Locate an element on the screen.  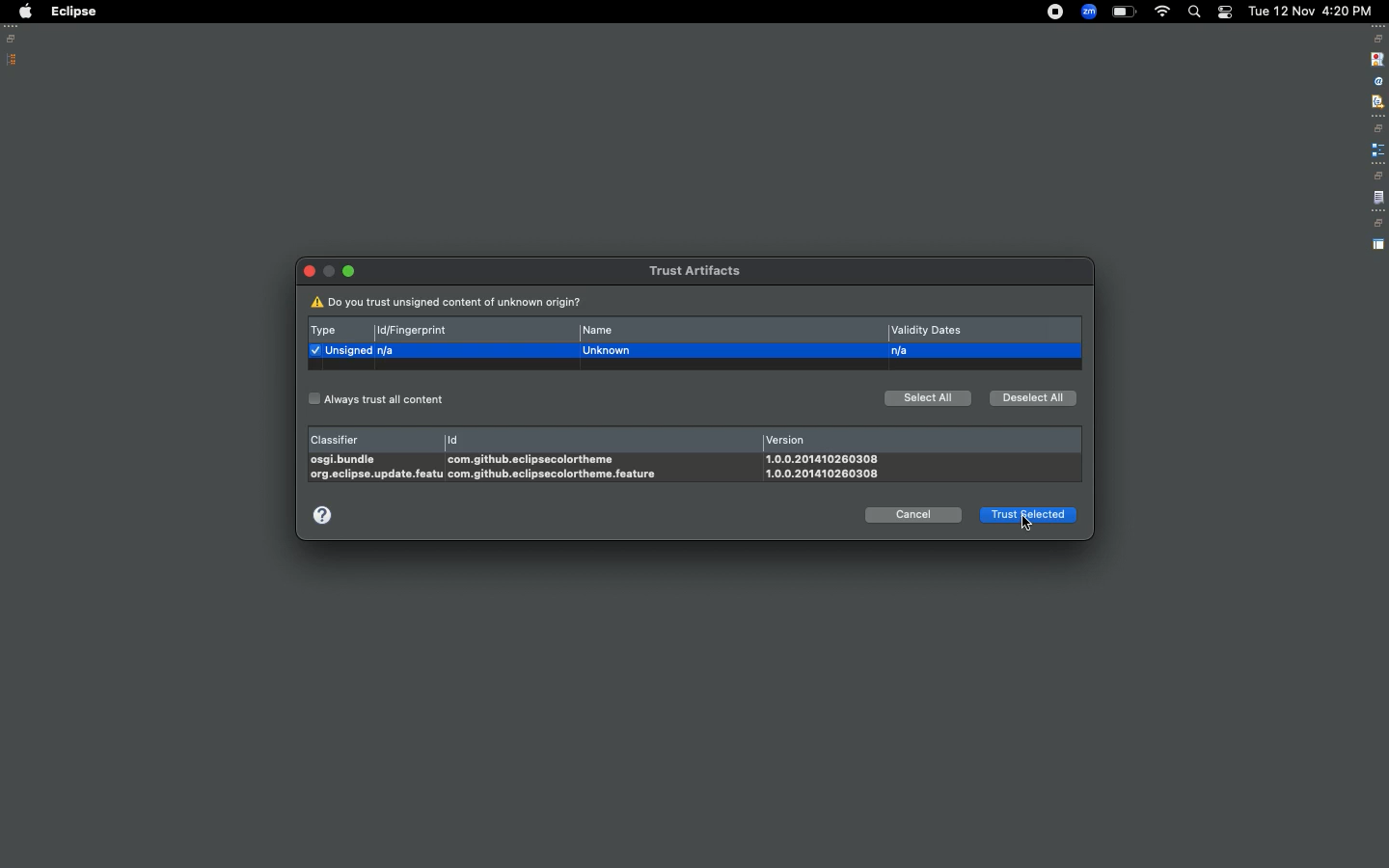
Internet is located at coordinates (1162, 14).